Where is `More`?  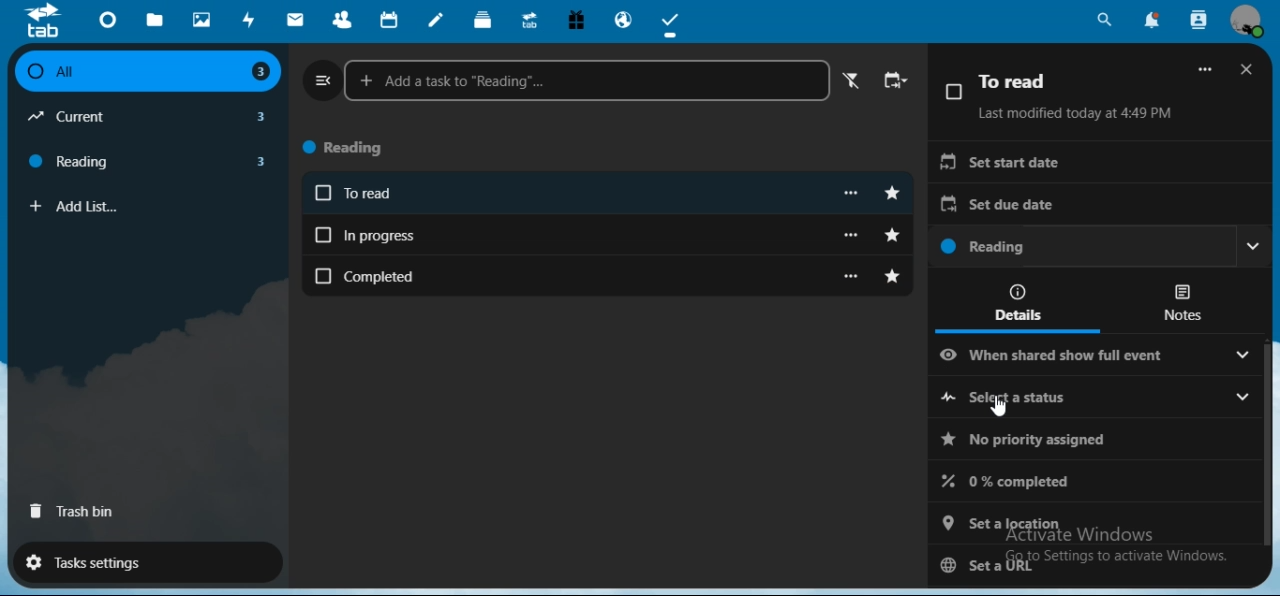 More is located at coordinates (1207, 69).